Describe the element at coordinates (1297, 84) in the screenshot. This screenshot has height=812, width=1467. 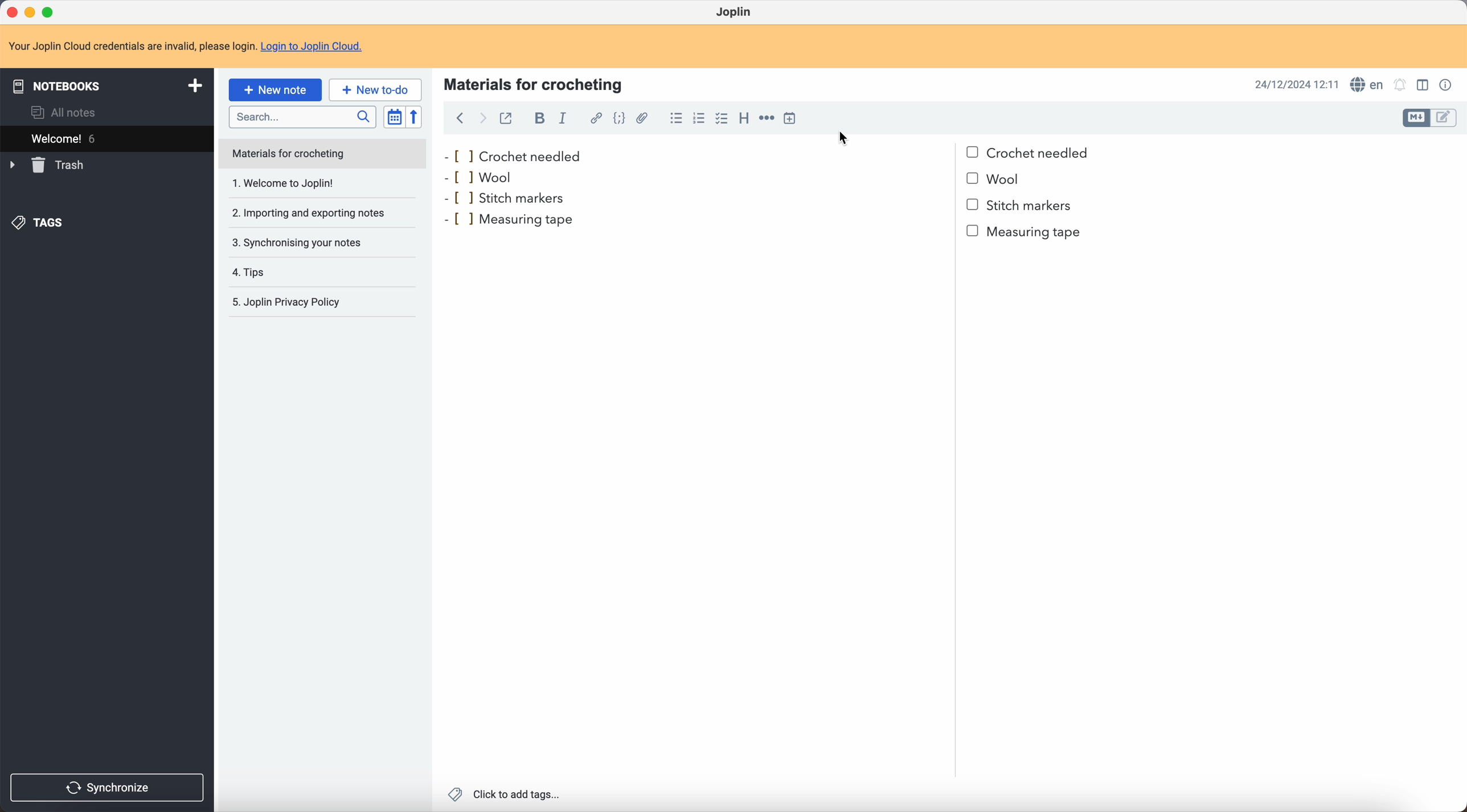
I see `date and hour` at that location.